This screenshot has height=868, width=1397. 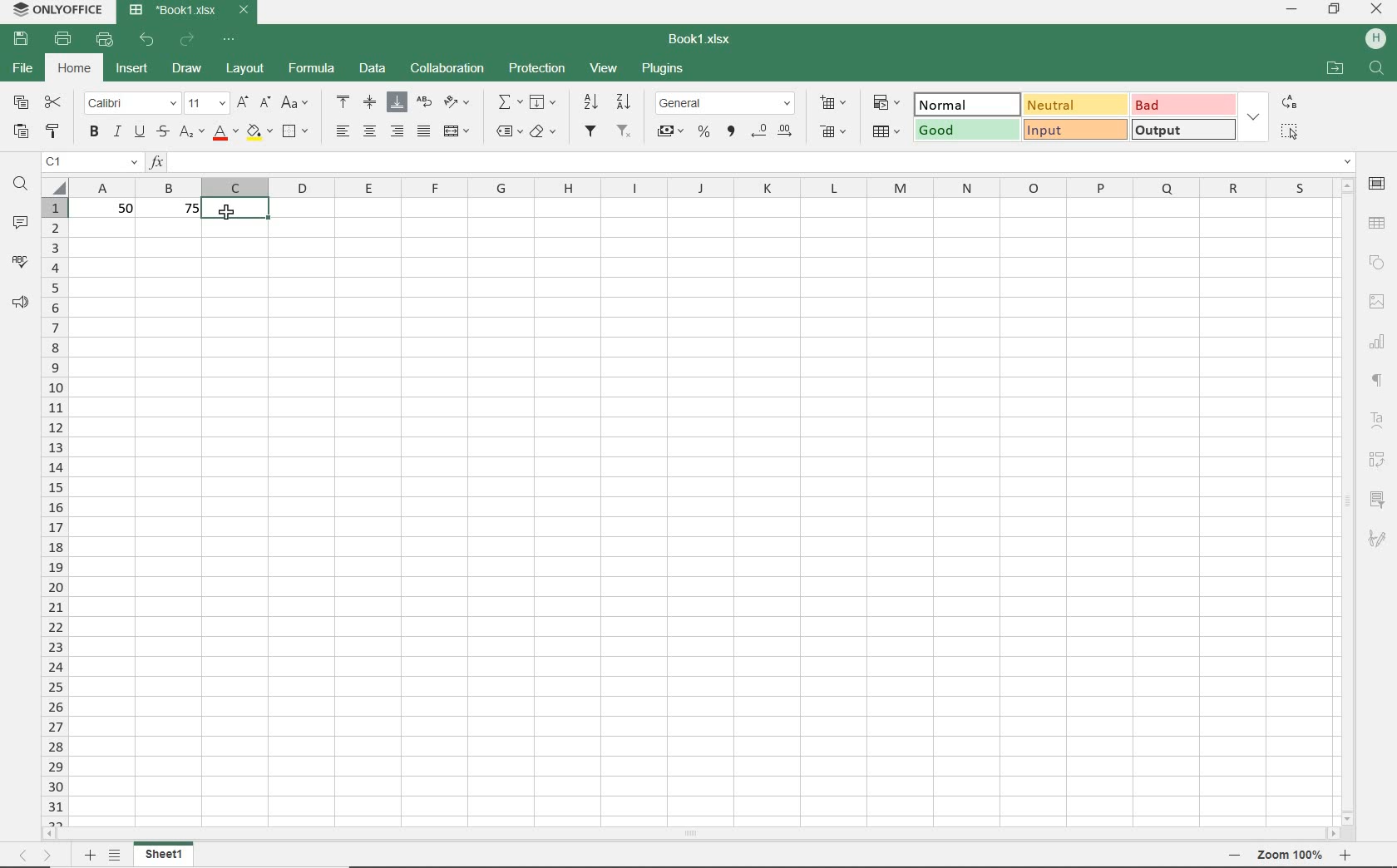 I want to click on align bottom, so click(x=394, y=101).